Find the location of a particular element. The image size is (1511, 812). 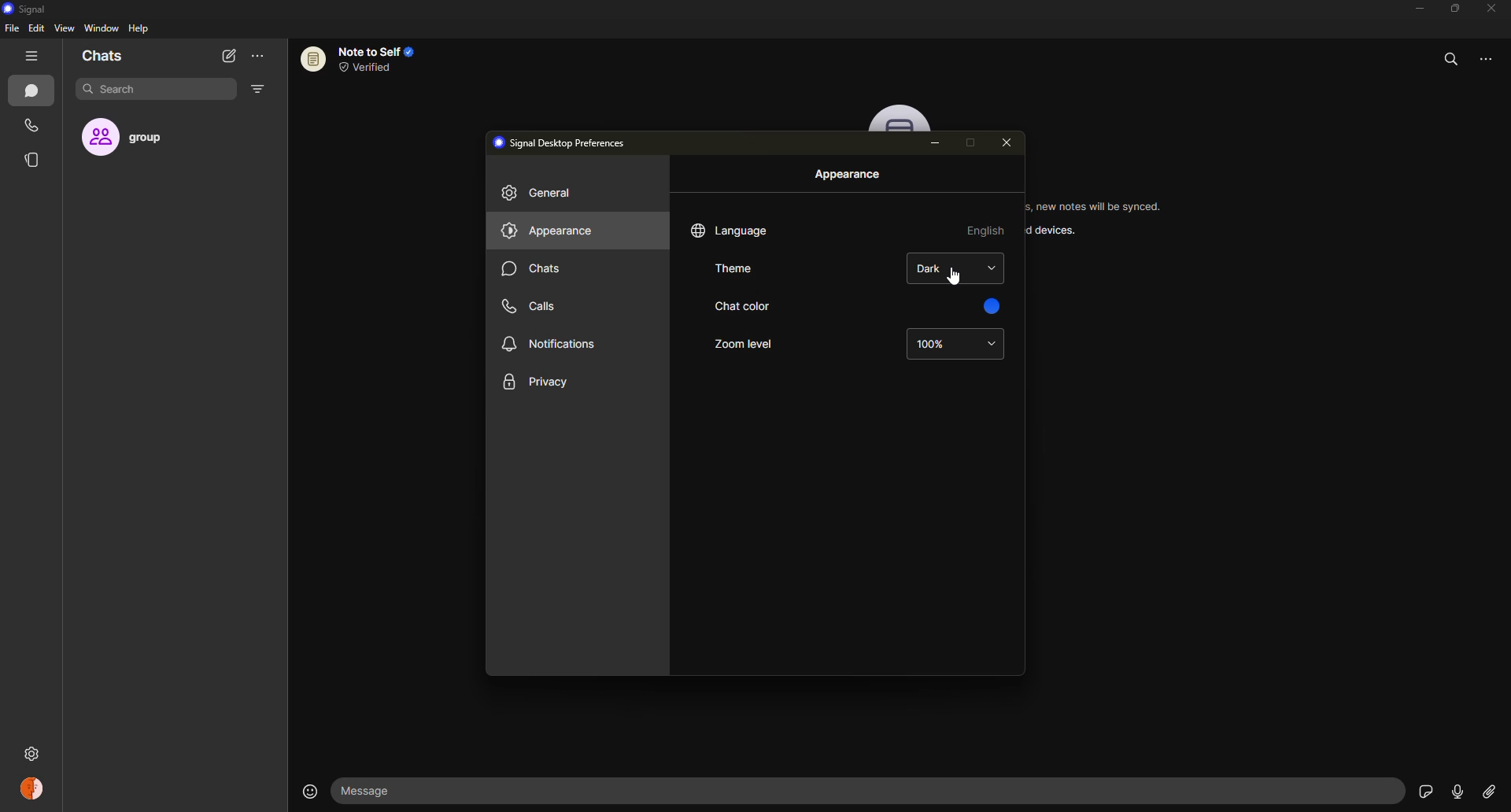

notifications is located at coordinates (552, 341).